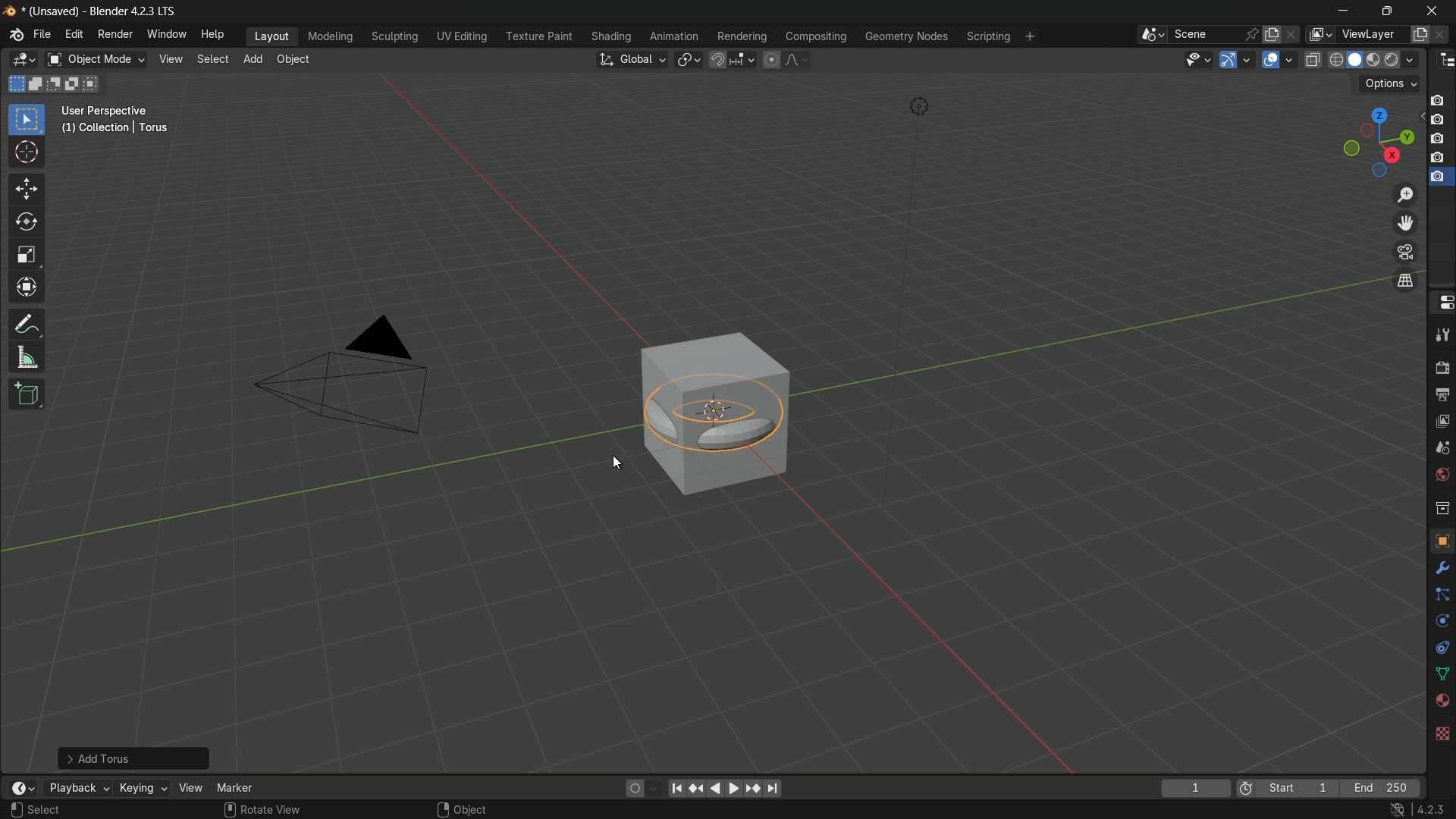 Image resolution: width=1456 pixels, height=819 pixels. I want to click on no internet, so click(1395, 810).